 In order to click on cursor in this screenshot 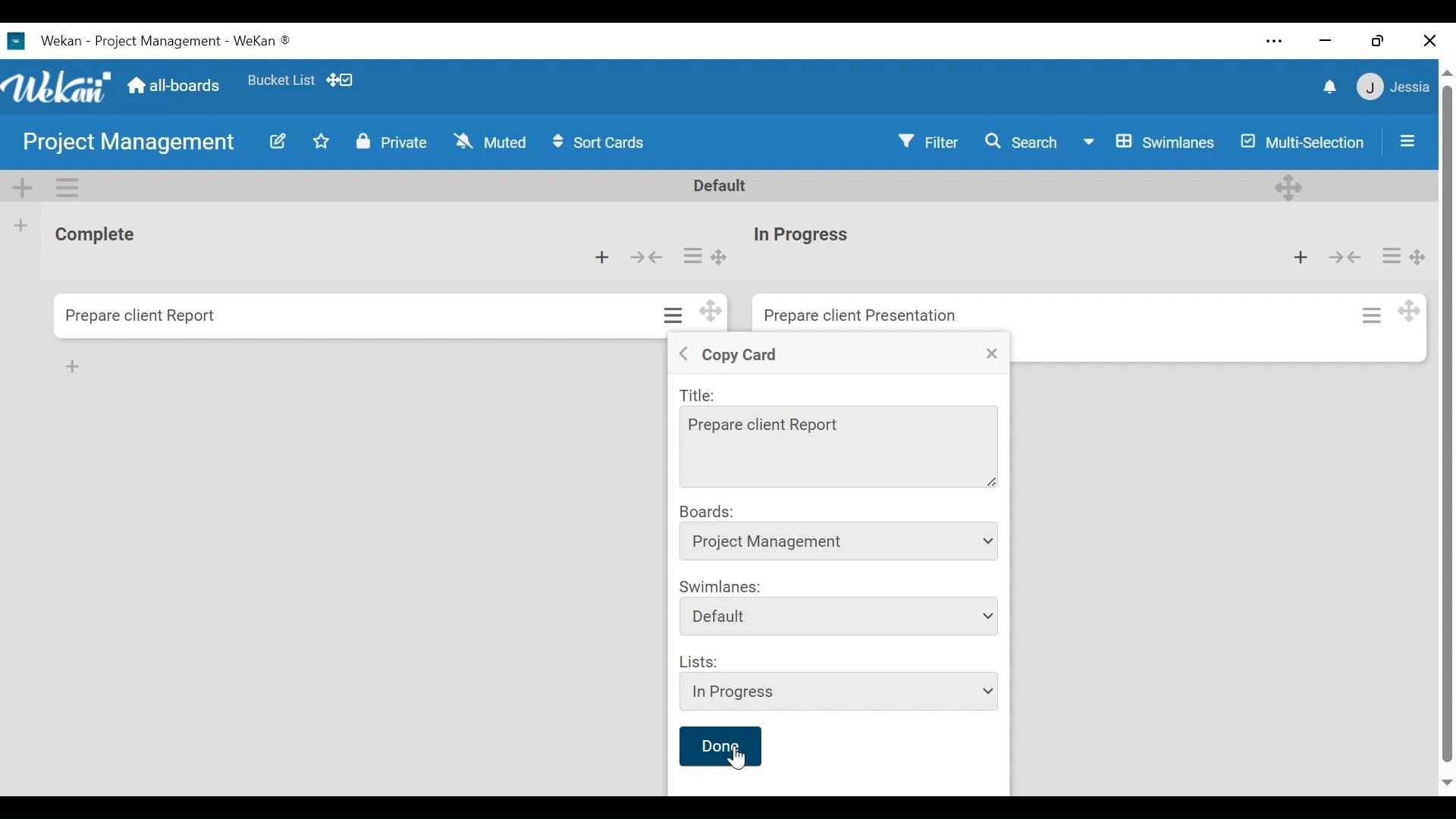, I will do `click(76, 371)`.